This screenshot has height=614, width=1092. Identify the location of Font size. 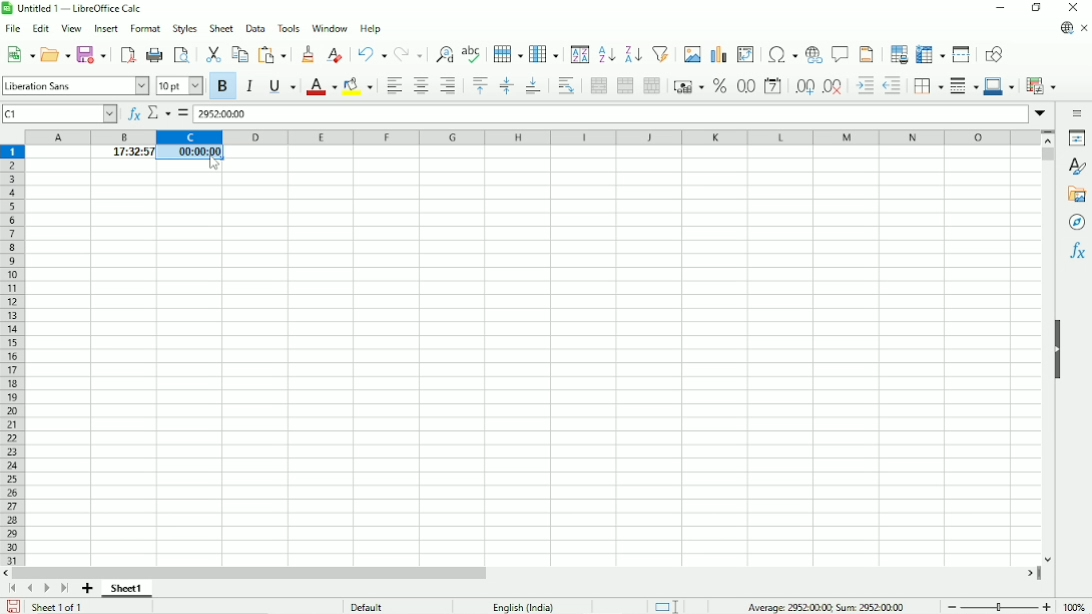
(178, 86).